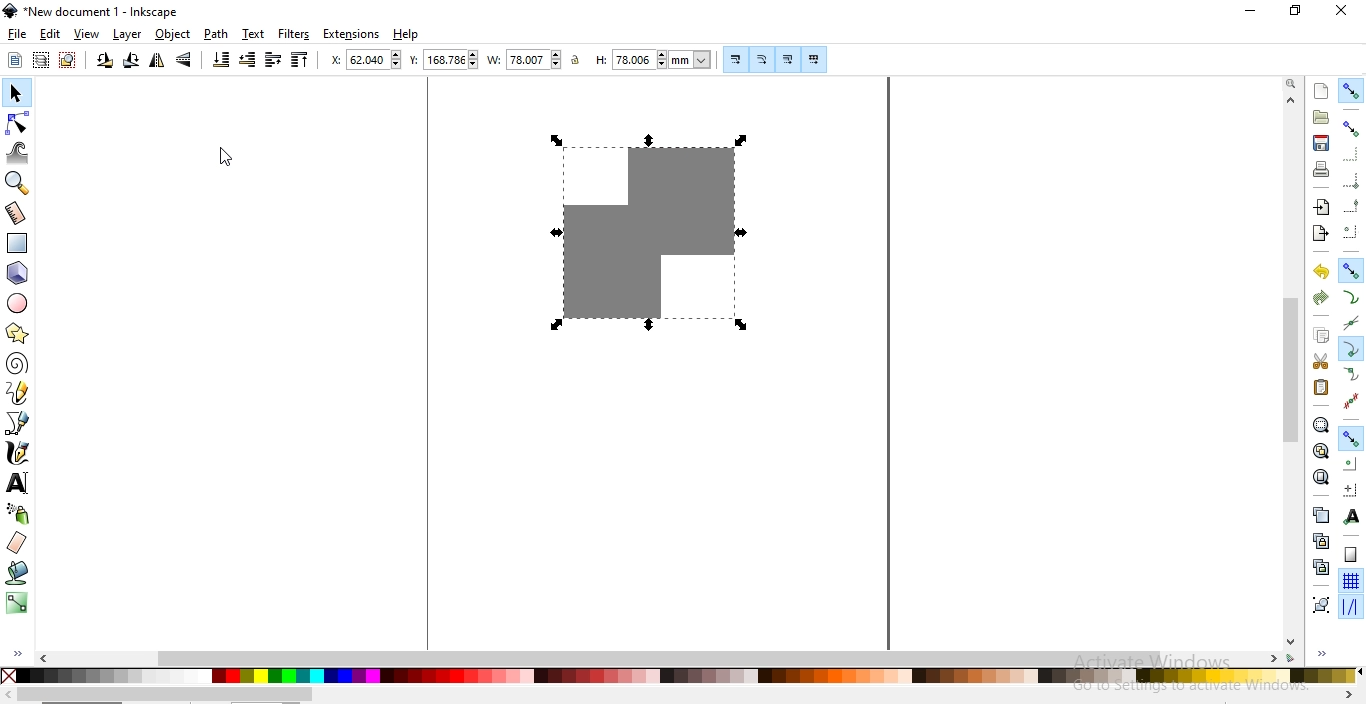  What do you see at coordinates (49, 34) in the screenshot?
I see `edit` at bounding box center [49, 34].